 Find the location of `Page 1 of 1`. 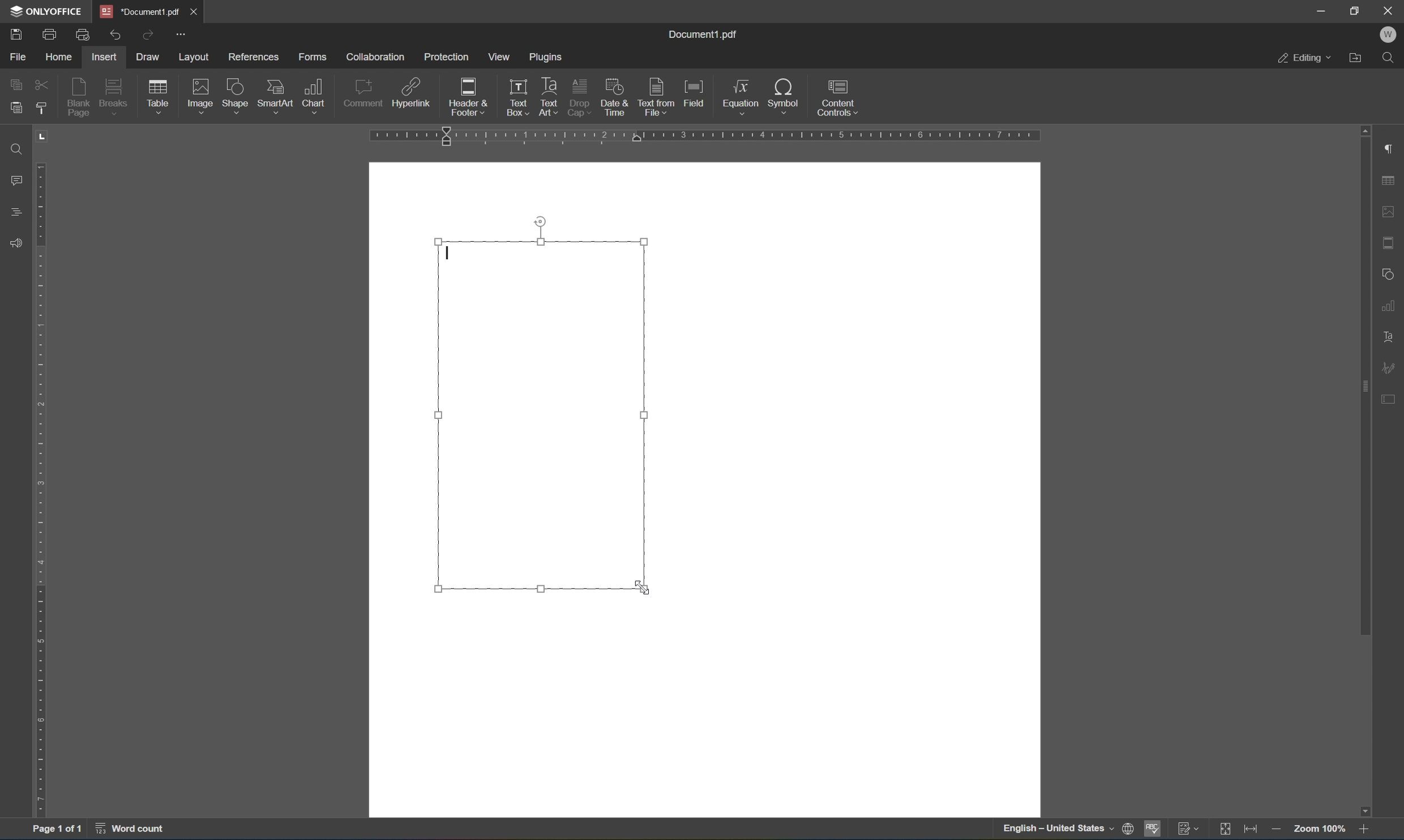

Page 1 of 1 is located at coordinates (57, 830).